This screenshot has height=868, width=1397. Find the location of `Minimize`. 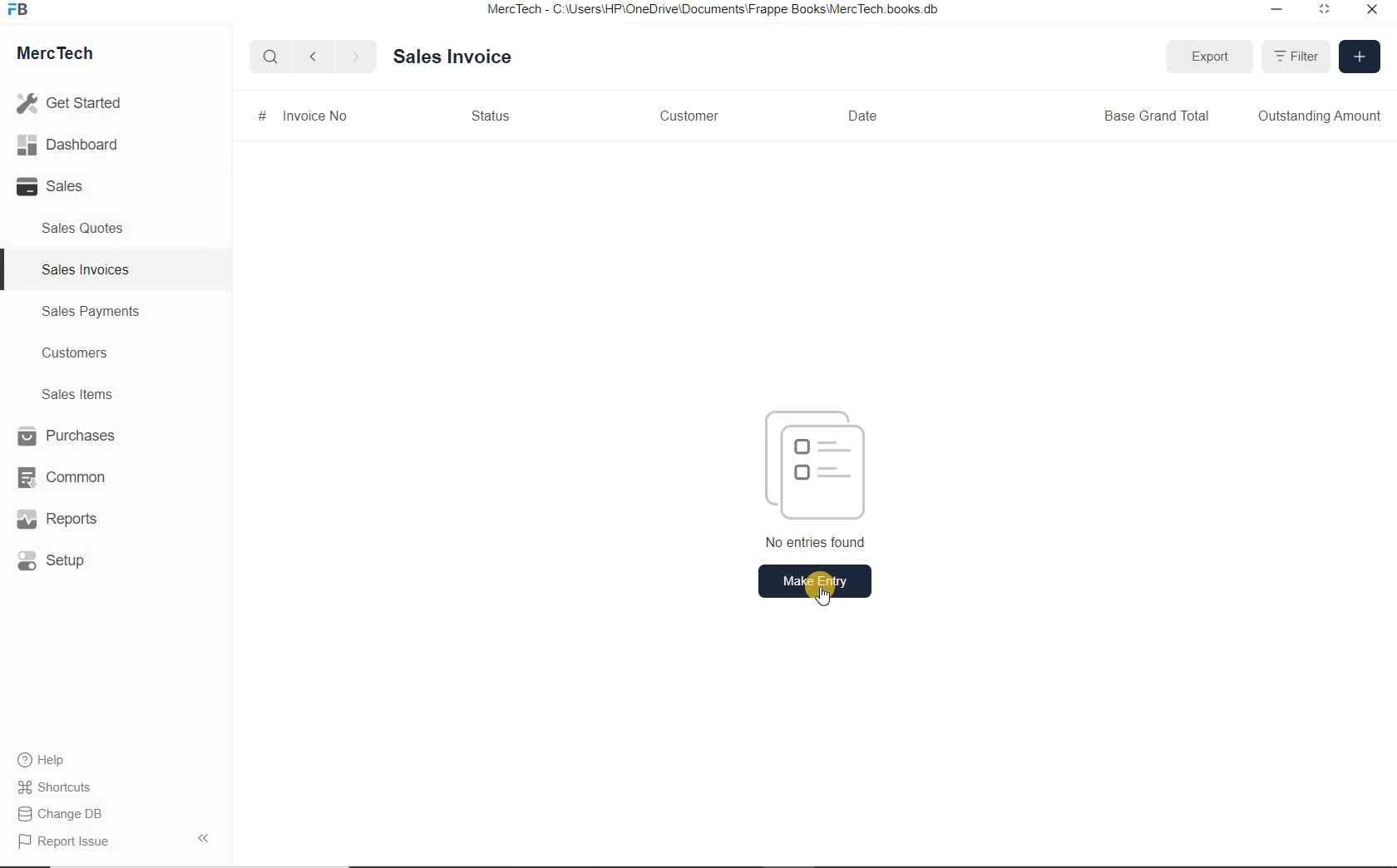

Minimize is located at coordinates (1276, 12).